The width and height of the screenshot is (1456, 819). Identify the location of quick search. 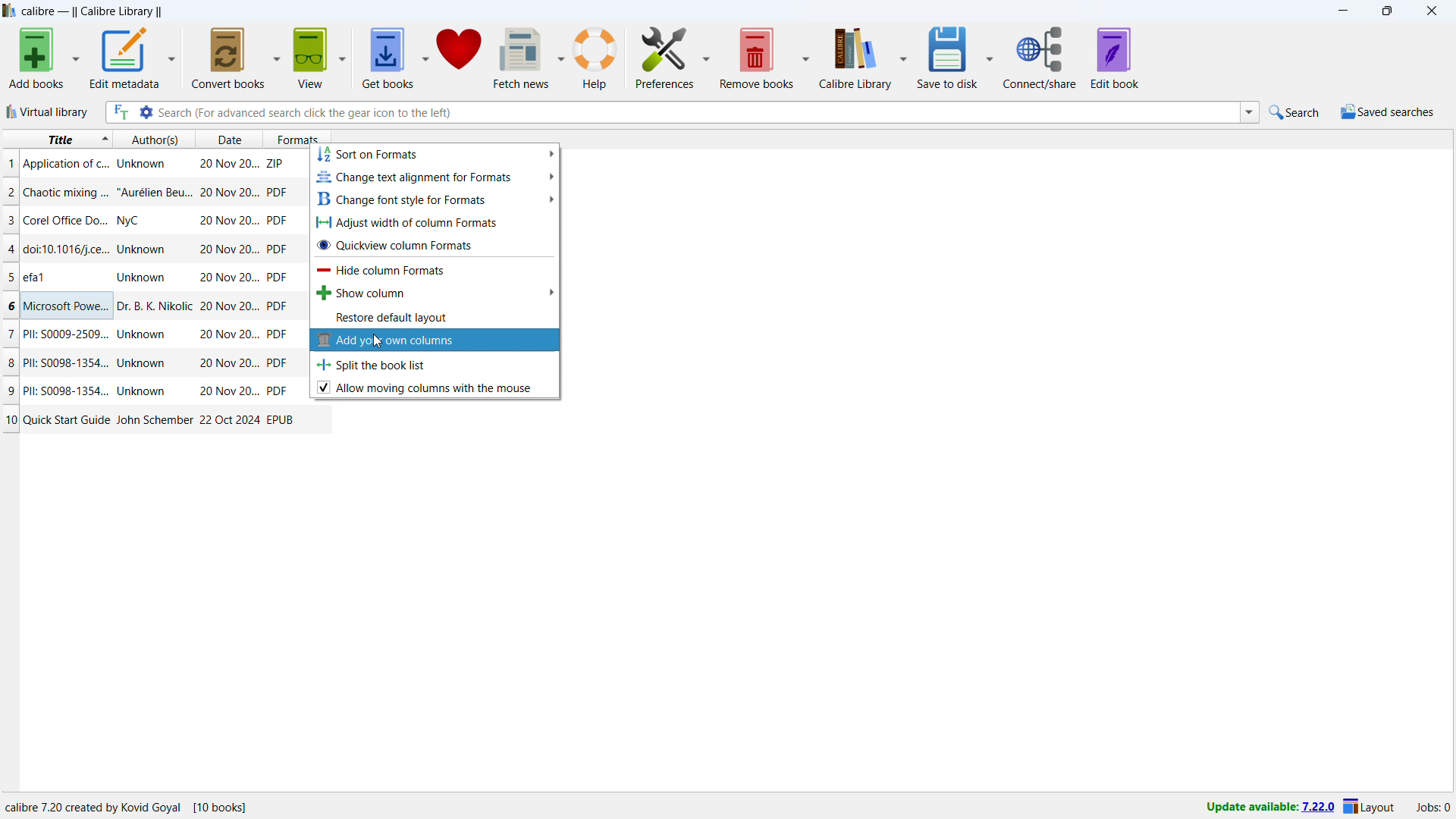
(1294, 112).